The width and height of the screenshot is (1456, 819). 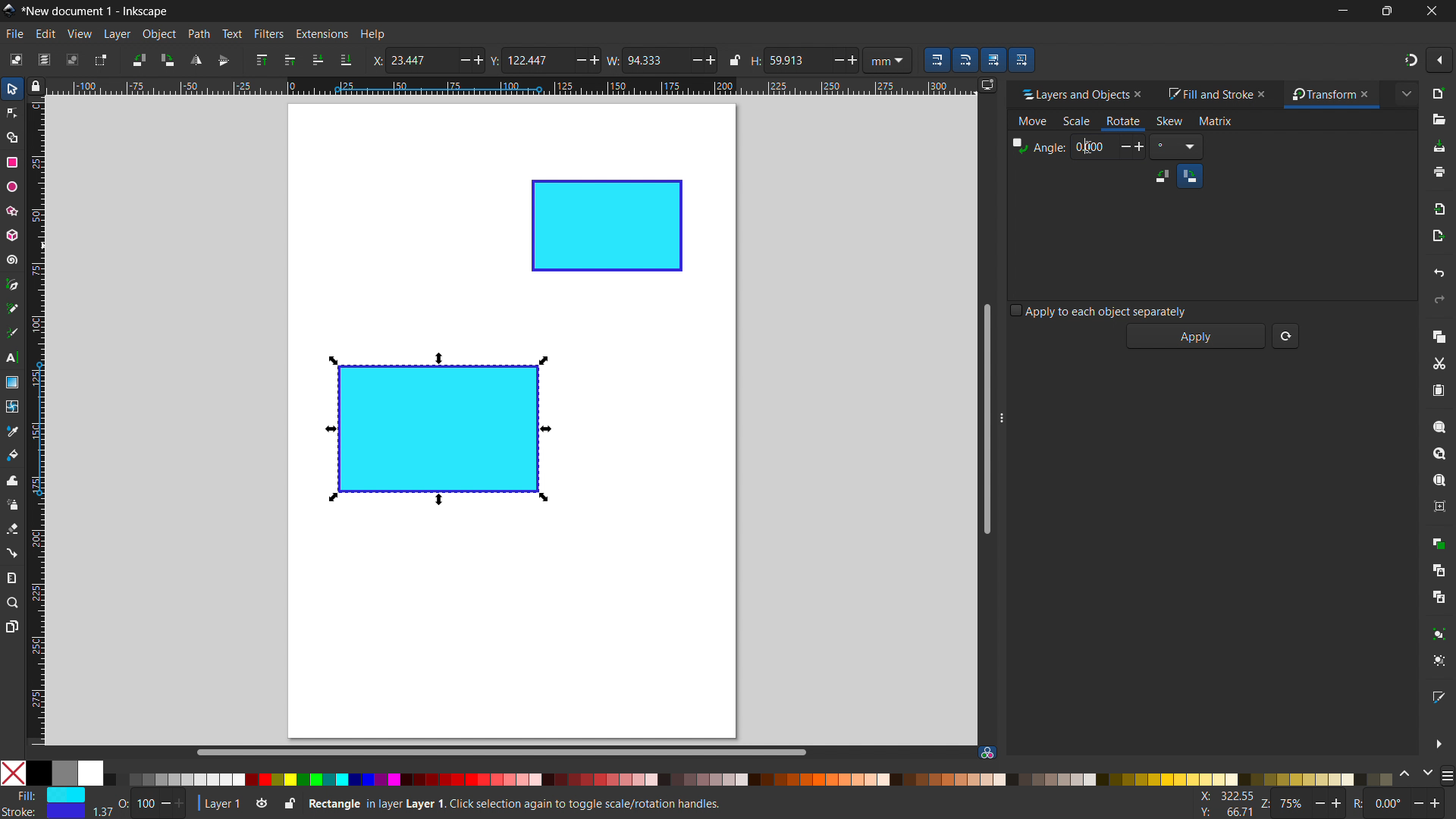 I want to click on X: 100.77, so click(x=1222, y=797).